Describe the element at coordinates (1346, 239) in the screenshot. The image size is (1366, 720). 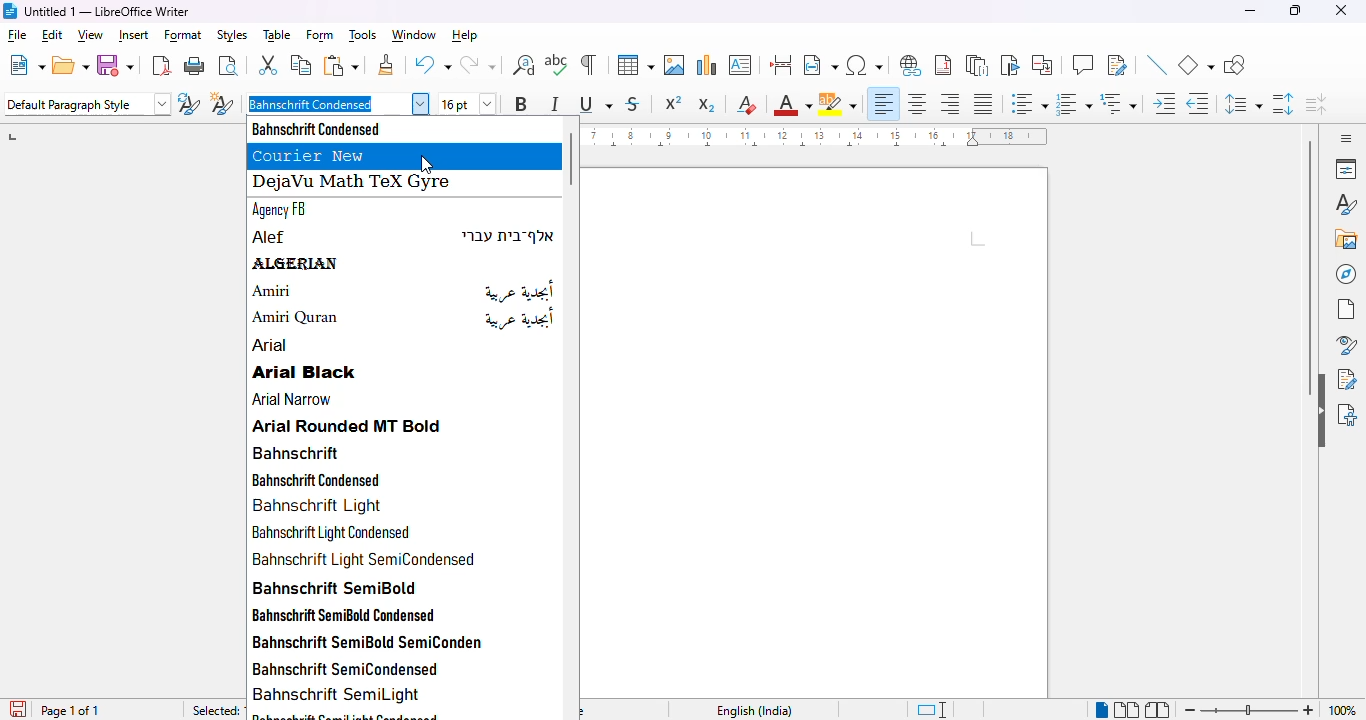
I see `gallery` at that location.